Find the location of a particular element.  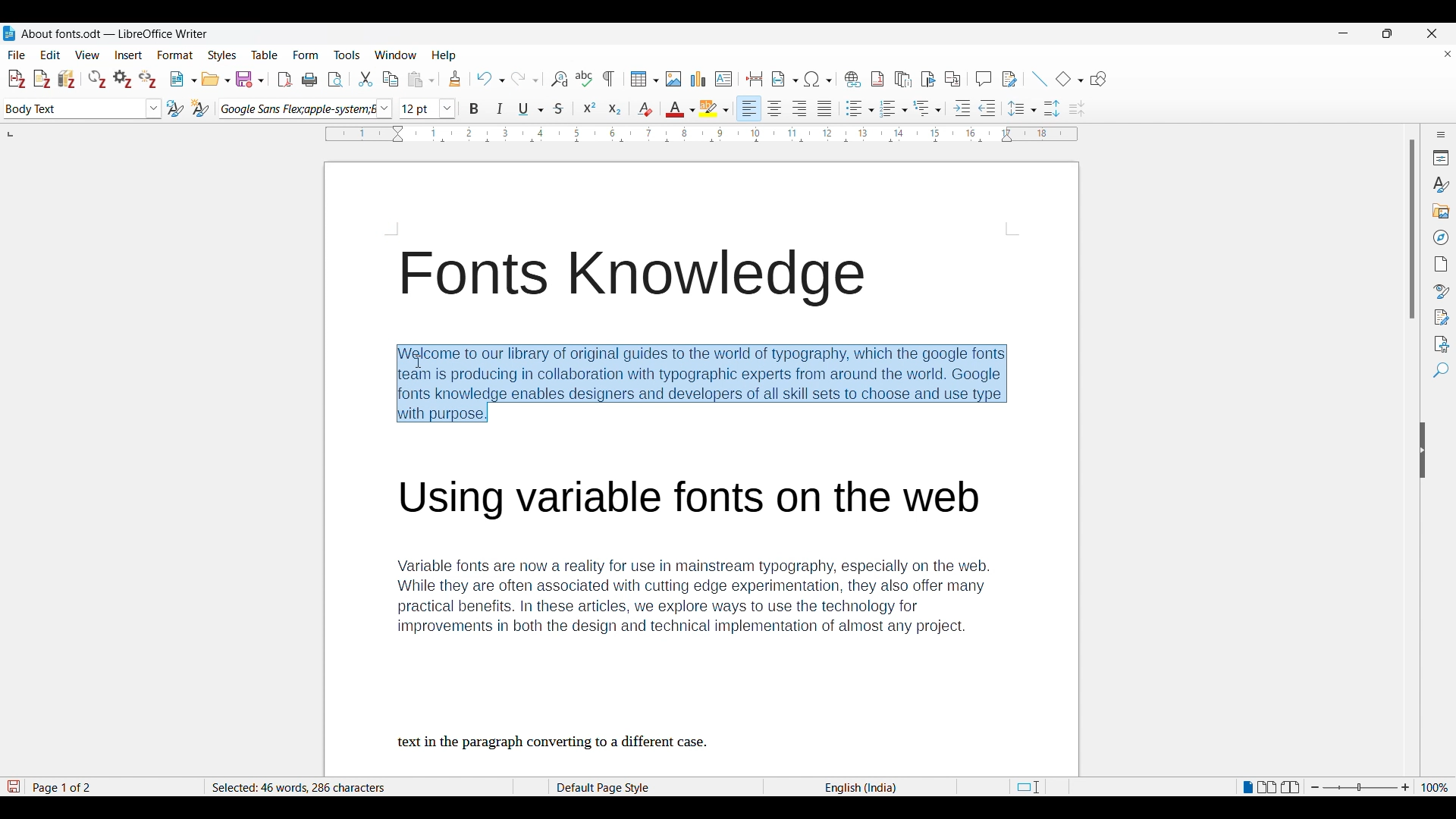

Tools menu is located at coordinates (347, 55).